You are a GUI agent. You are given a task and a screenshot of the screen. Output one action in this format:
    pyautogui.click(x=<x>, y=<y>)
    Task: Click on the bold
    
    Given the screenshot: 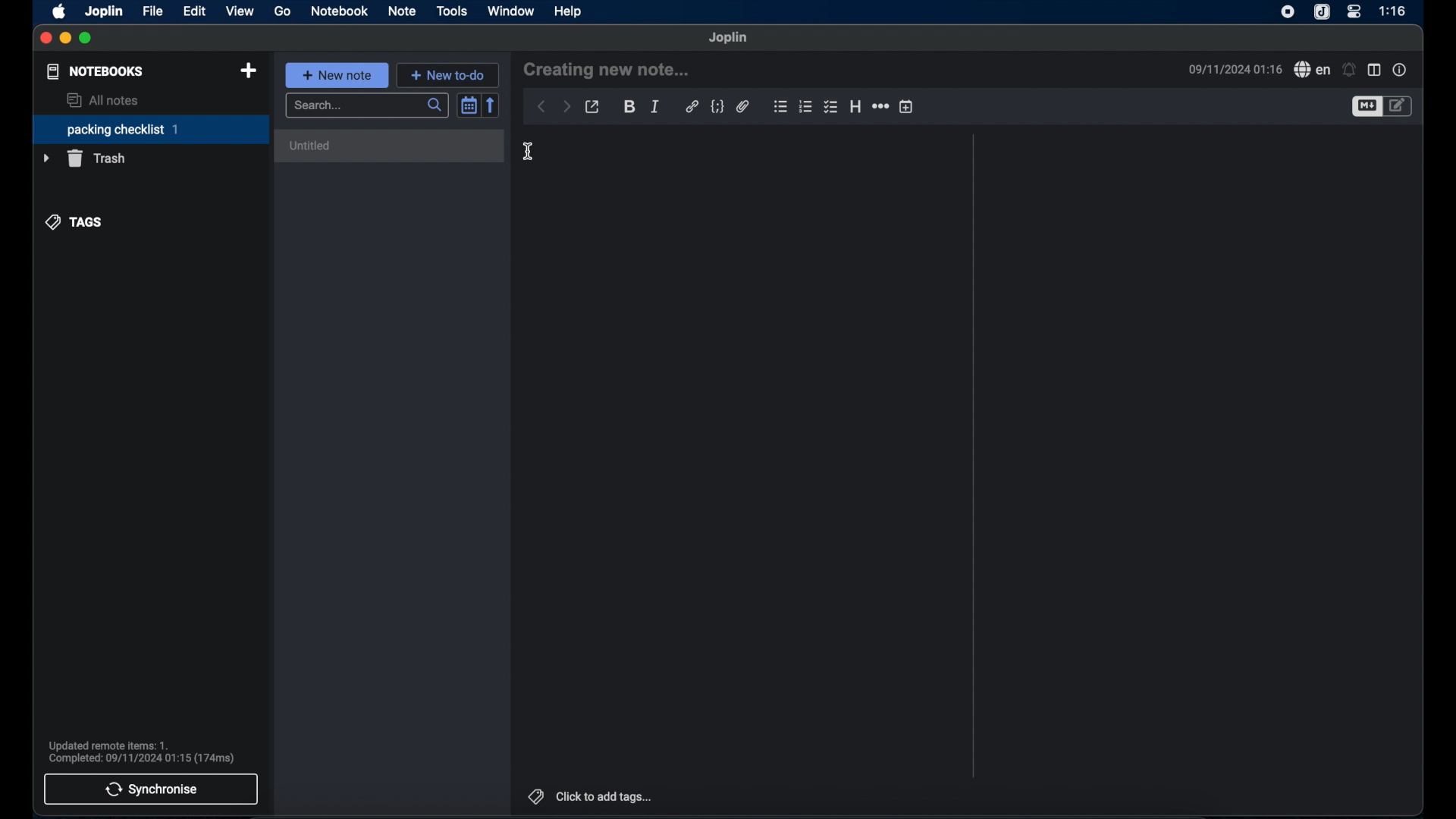 What is the action you would take?
    pyautogui.click(x=629, y=107)
    